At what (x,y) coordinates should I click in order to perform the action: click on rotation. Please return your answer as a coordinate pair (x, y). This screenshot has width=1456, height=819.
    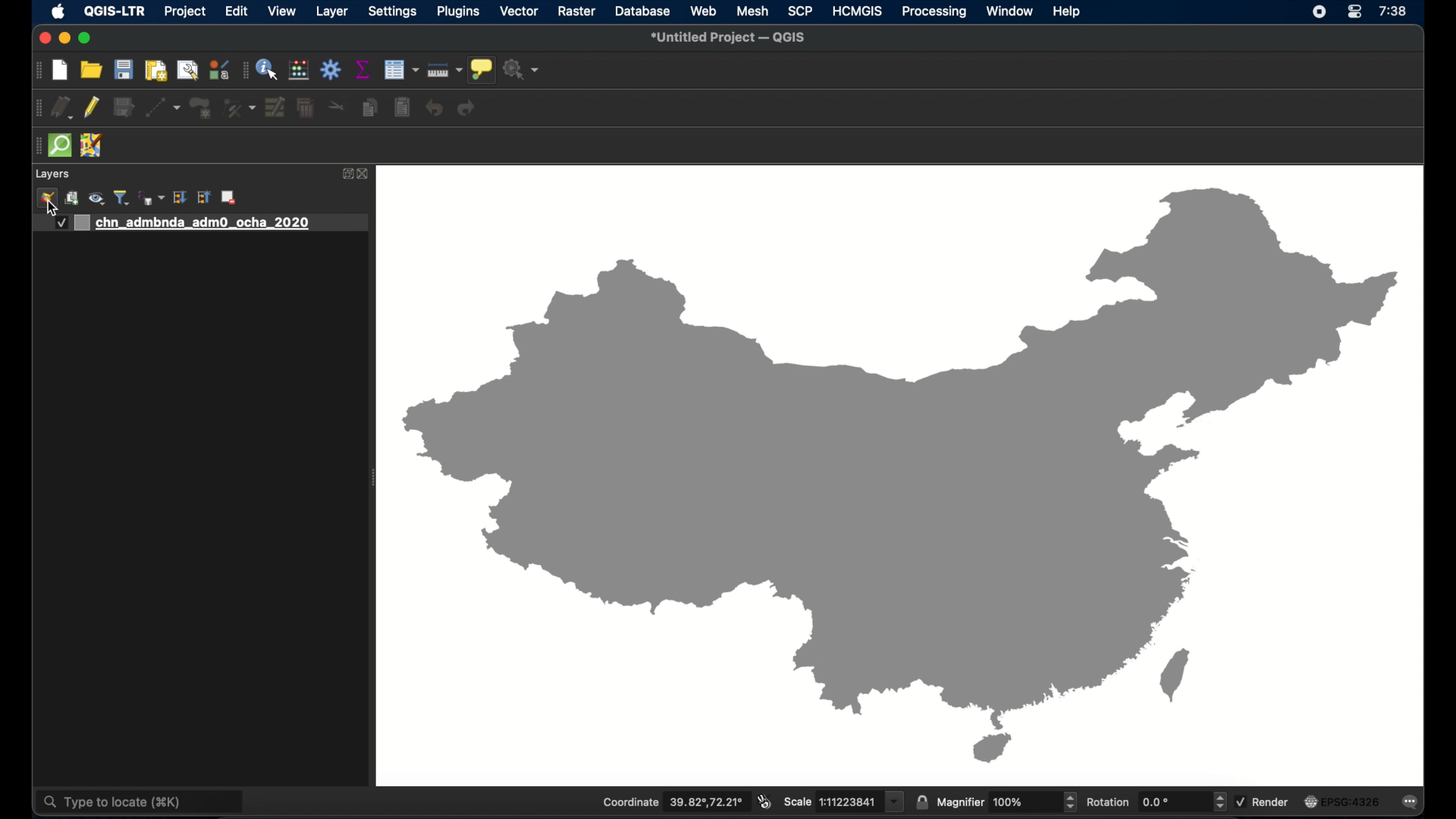
    Looking at the image, I should click on (1144, 802).